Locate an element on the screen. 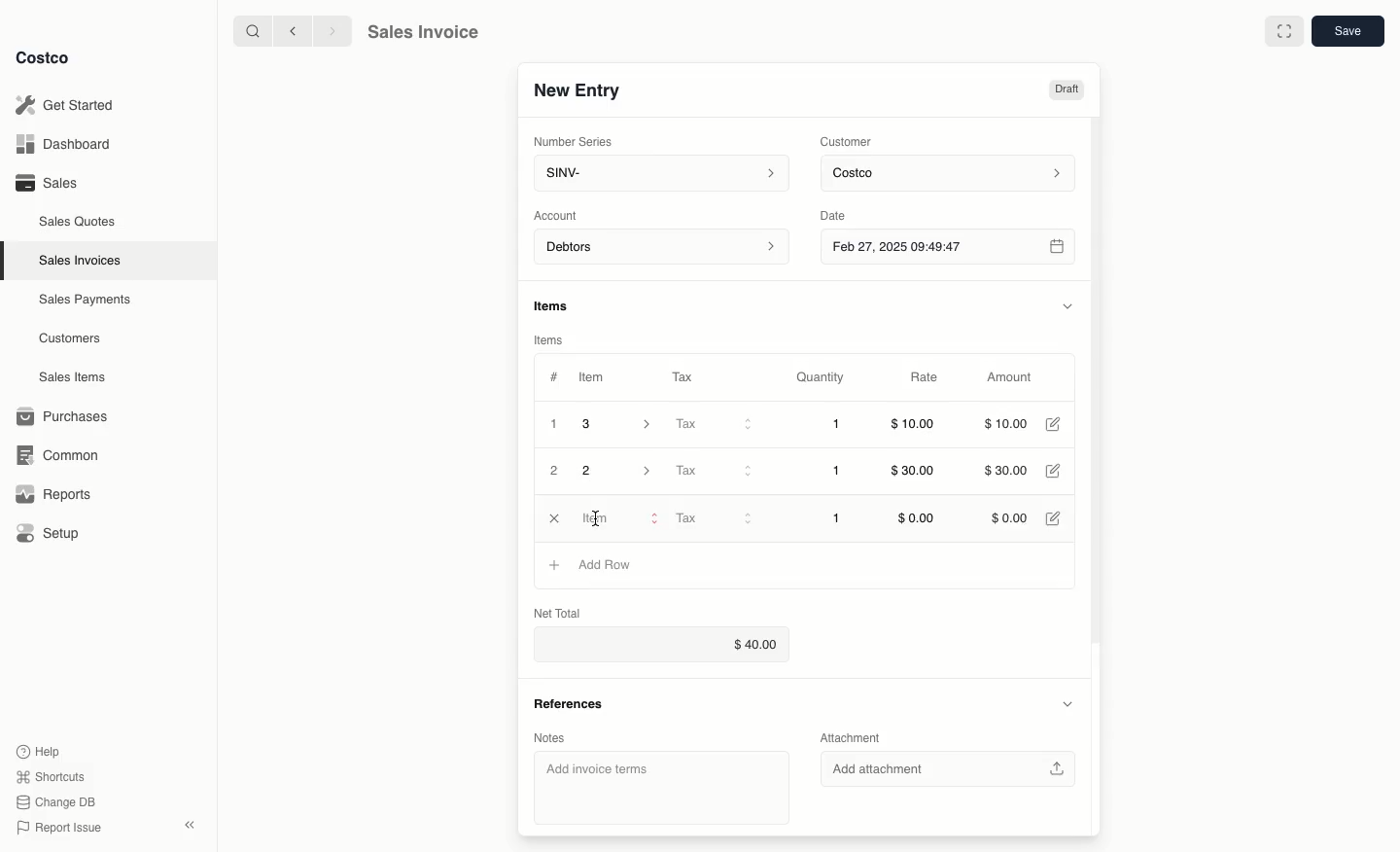  Date is located at coordinates (849, 213).